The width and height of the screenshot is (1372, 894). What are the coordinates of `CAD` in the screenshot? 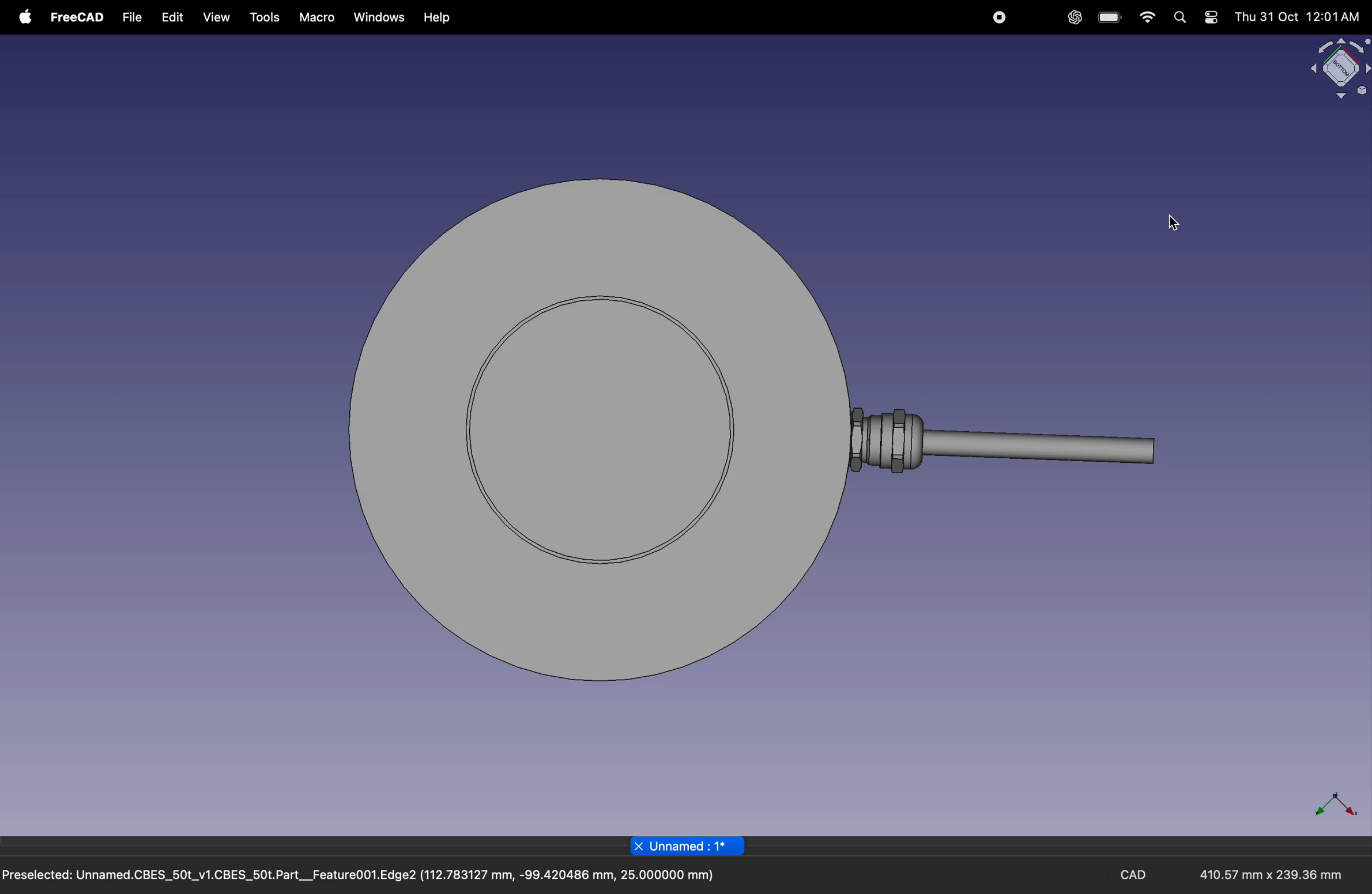 It's located at (1134, 877).